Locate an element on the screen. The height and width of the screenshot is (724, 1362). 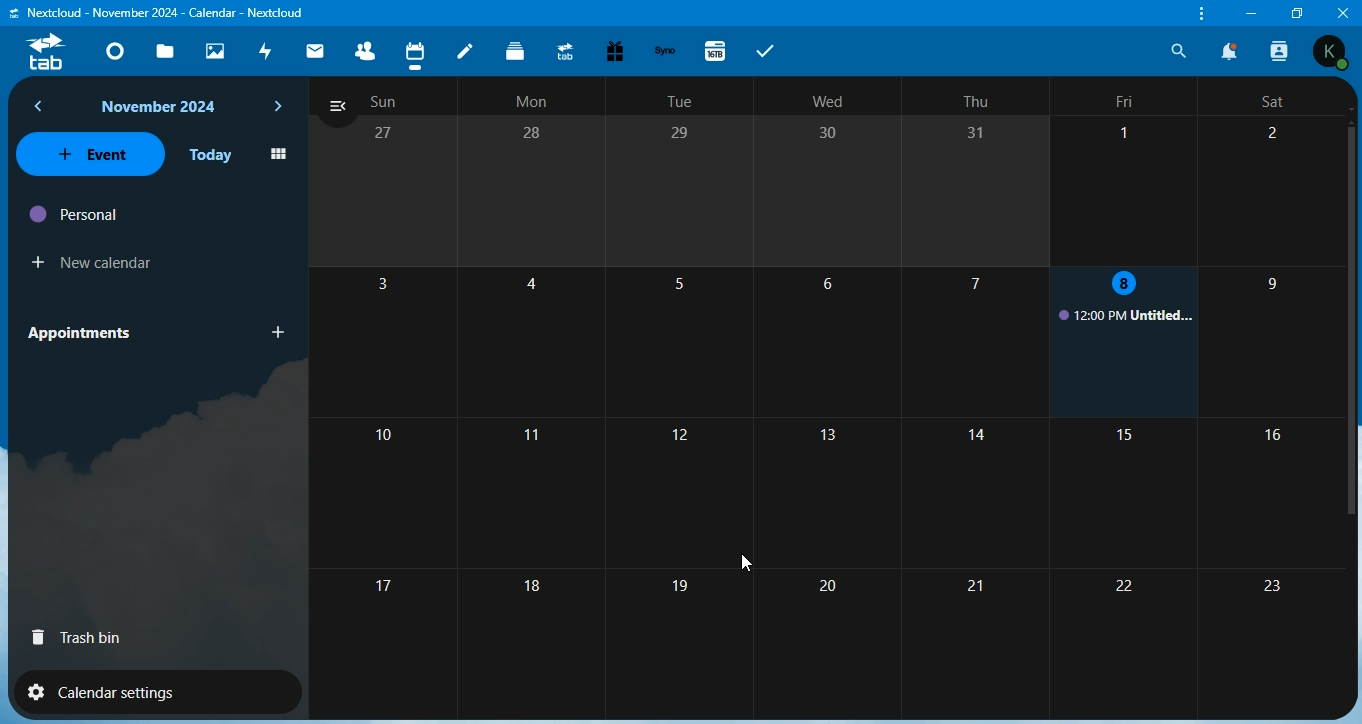
tabs is located at coordinates (767, 50).